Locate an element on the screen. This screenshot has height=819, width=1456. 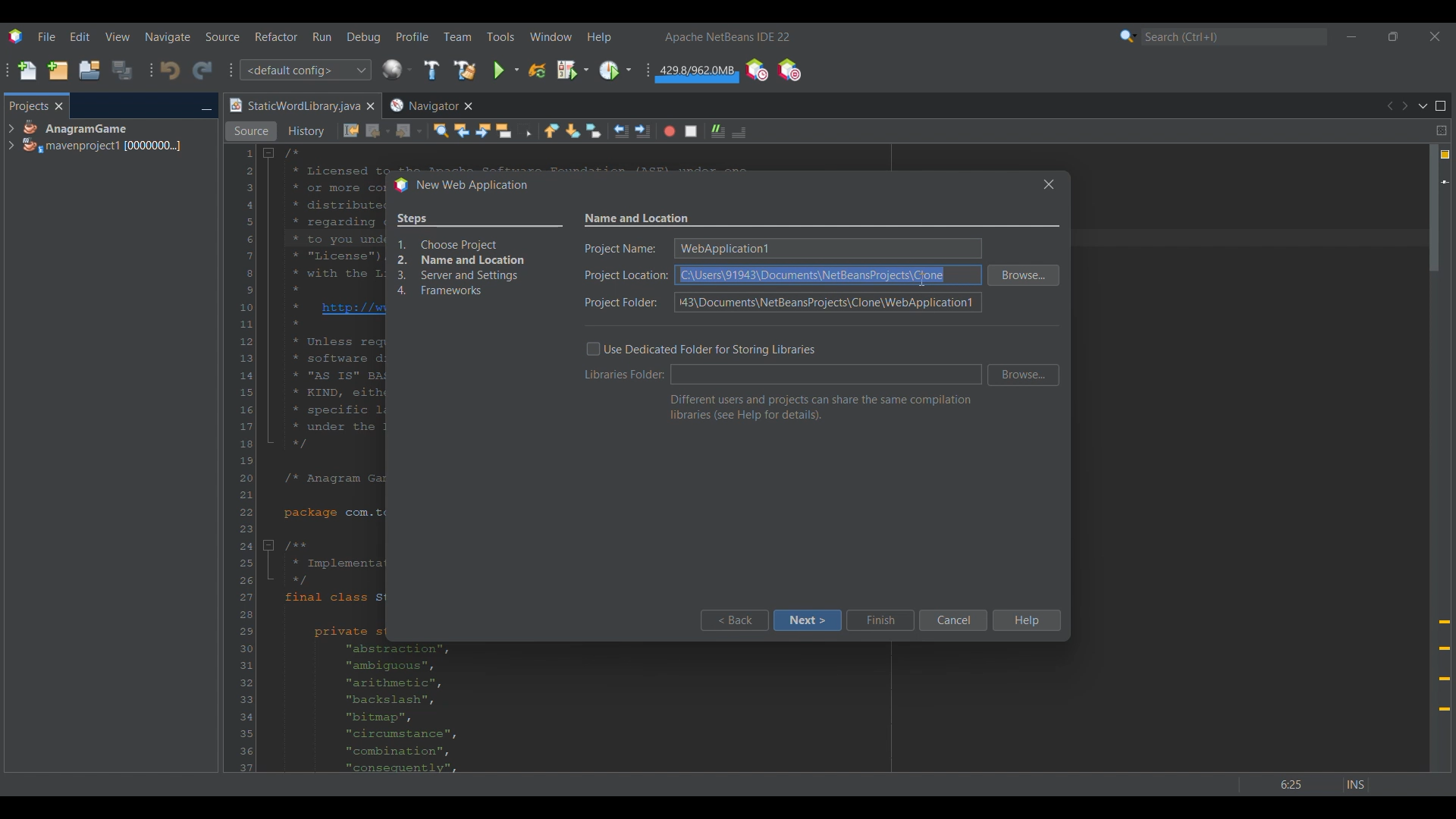
Split window horizontally or vertically is located at coordinates (1441, 130).